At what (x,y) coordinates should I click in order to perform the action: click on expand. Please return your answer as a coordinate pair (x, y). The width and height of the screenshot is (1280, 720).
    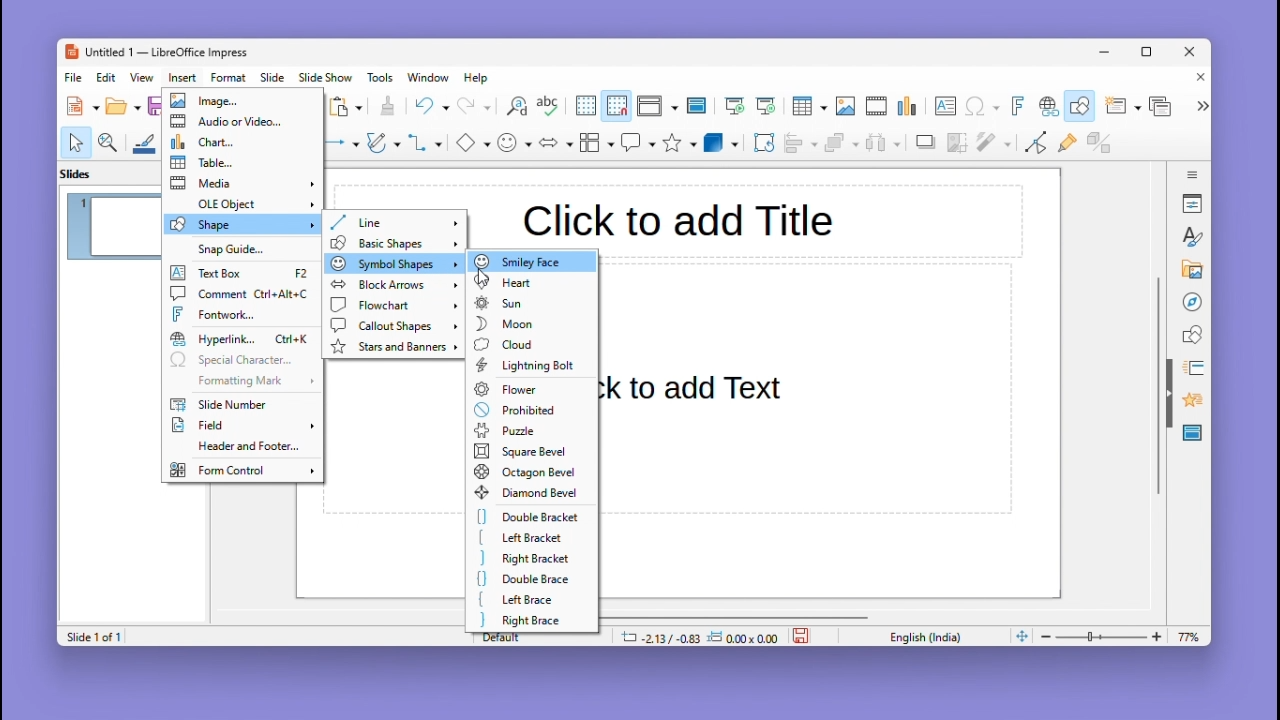
    Looking at the image, I should click on (1200, 106).